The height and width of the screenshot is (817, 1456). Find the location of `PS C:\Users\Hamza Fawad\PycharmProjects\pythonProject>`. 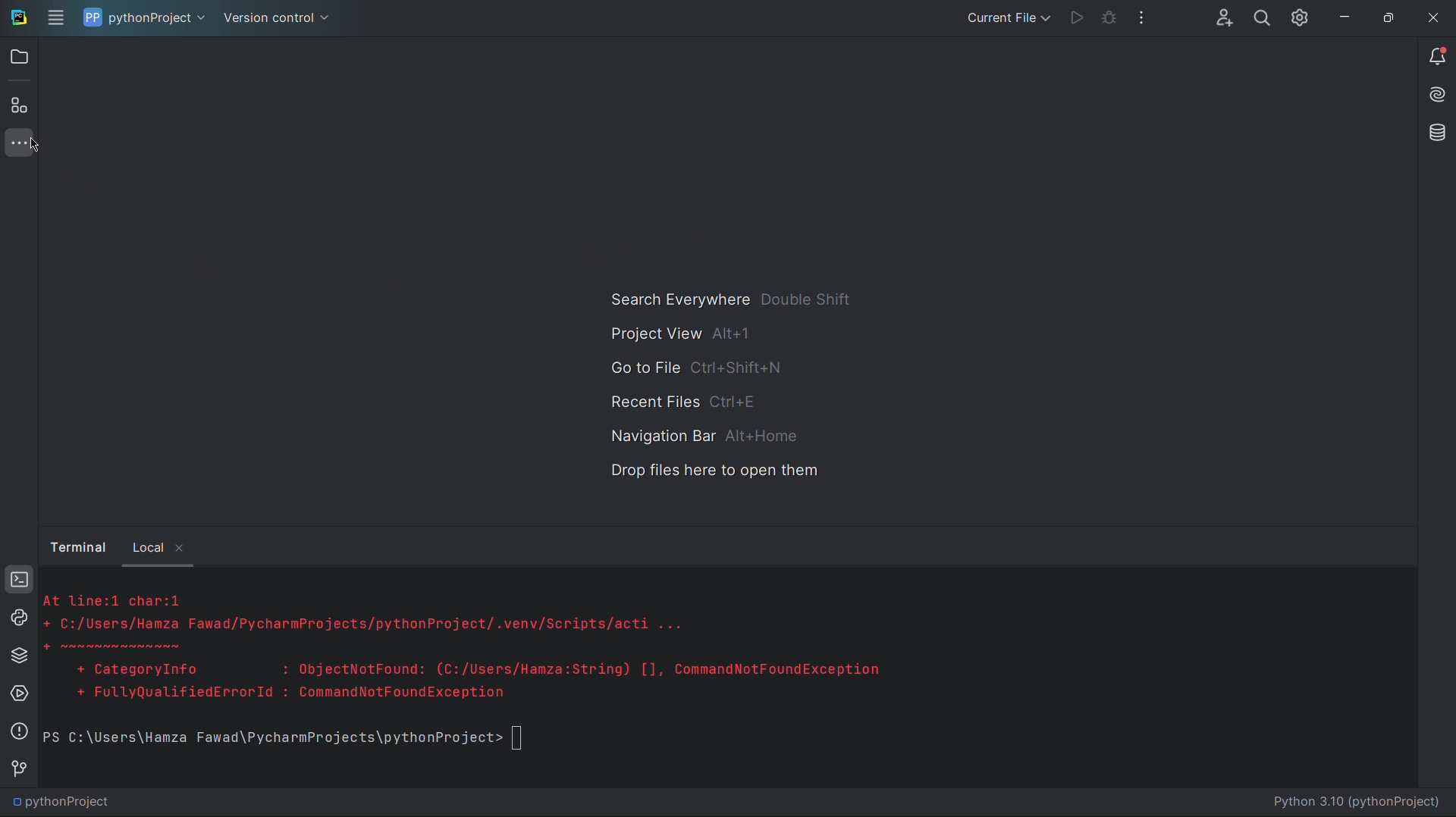

PS C:\Users\Hamza Fawad\PycharmProjects\pythonProject> is located at coordinates (269, 739).